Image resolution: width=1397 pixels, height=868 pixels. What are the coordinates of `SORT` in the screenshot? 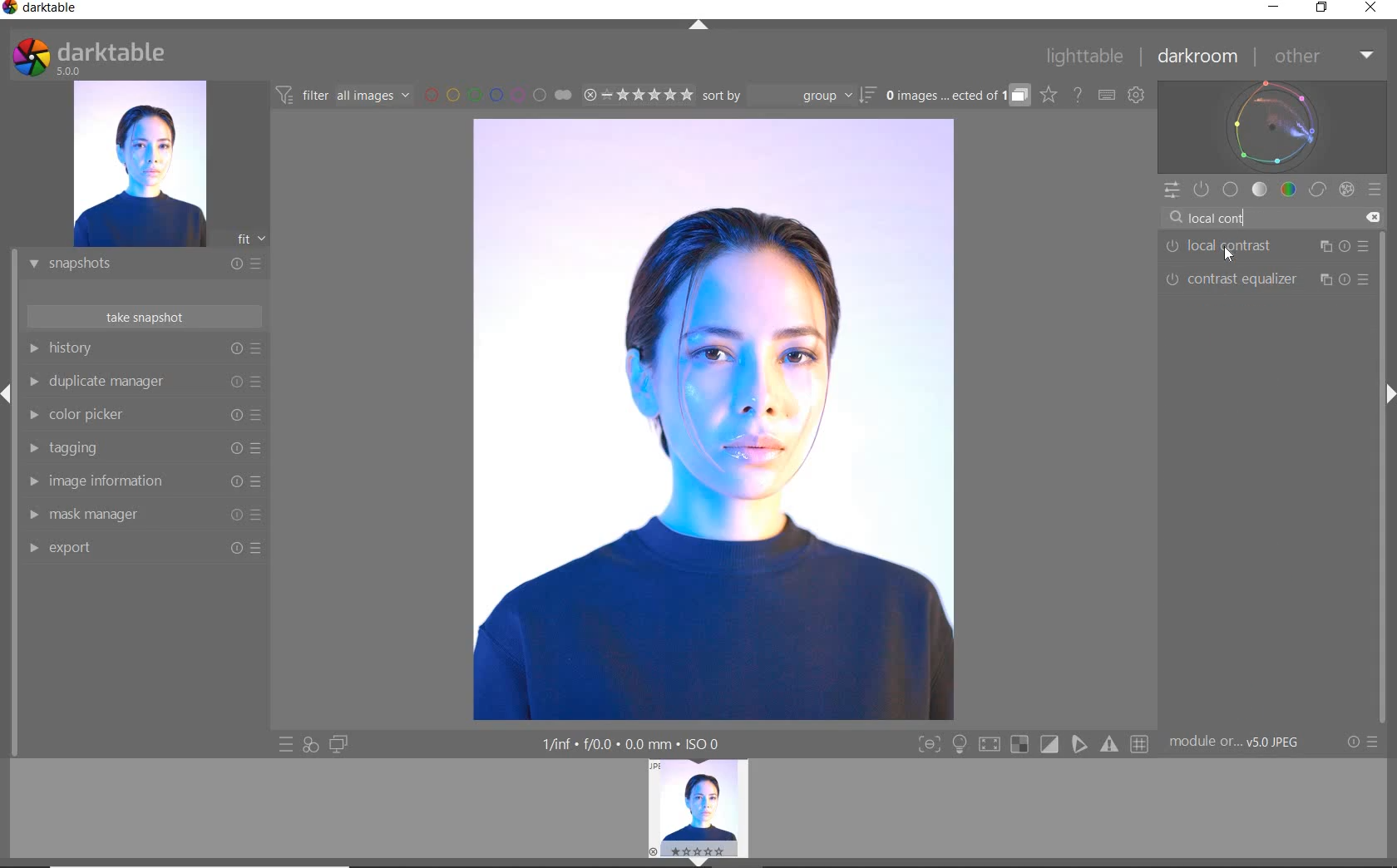 It's located at (787, 95).